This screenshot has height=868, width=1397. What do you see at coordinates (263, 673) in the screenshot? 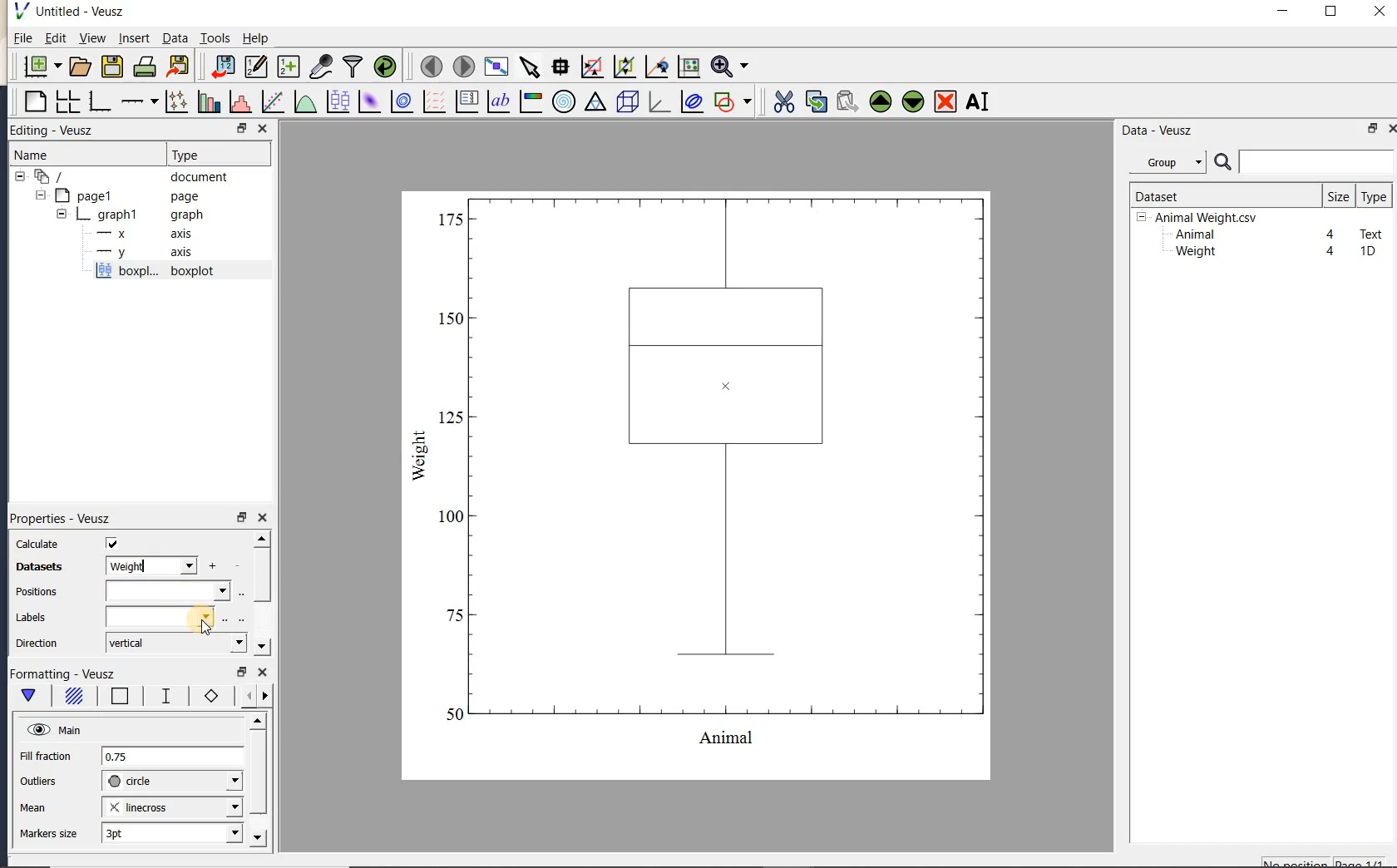
I see `close` at bounding box center [263, 673].